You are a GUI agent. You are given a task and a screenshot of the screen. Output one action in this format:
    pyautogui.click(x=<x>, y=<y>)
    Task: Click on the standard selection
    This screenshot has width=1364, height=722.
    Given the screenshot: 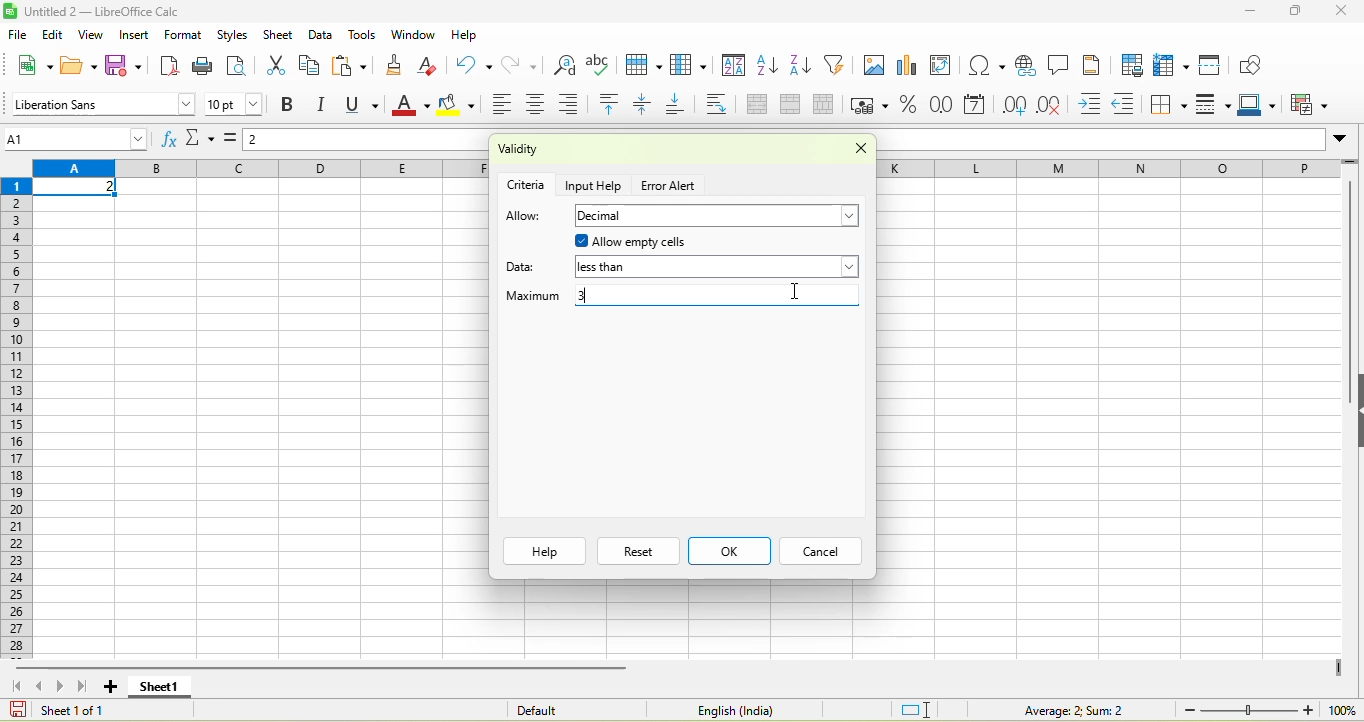 What is the action you would take?
    pyautogui.click(x=917, y=708)
    